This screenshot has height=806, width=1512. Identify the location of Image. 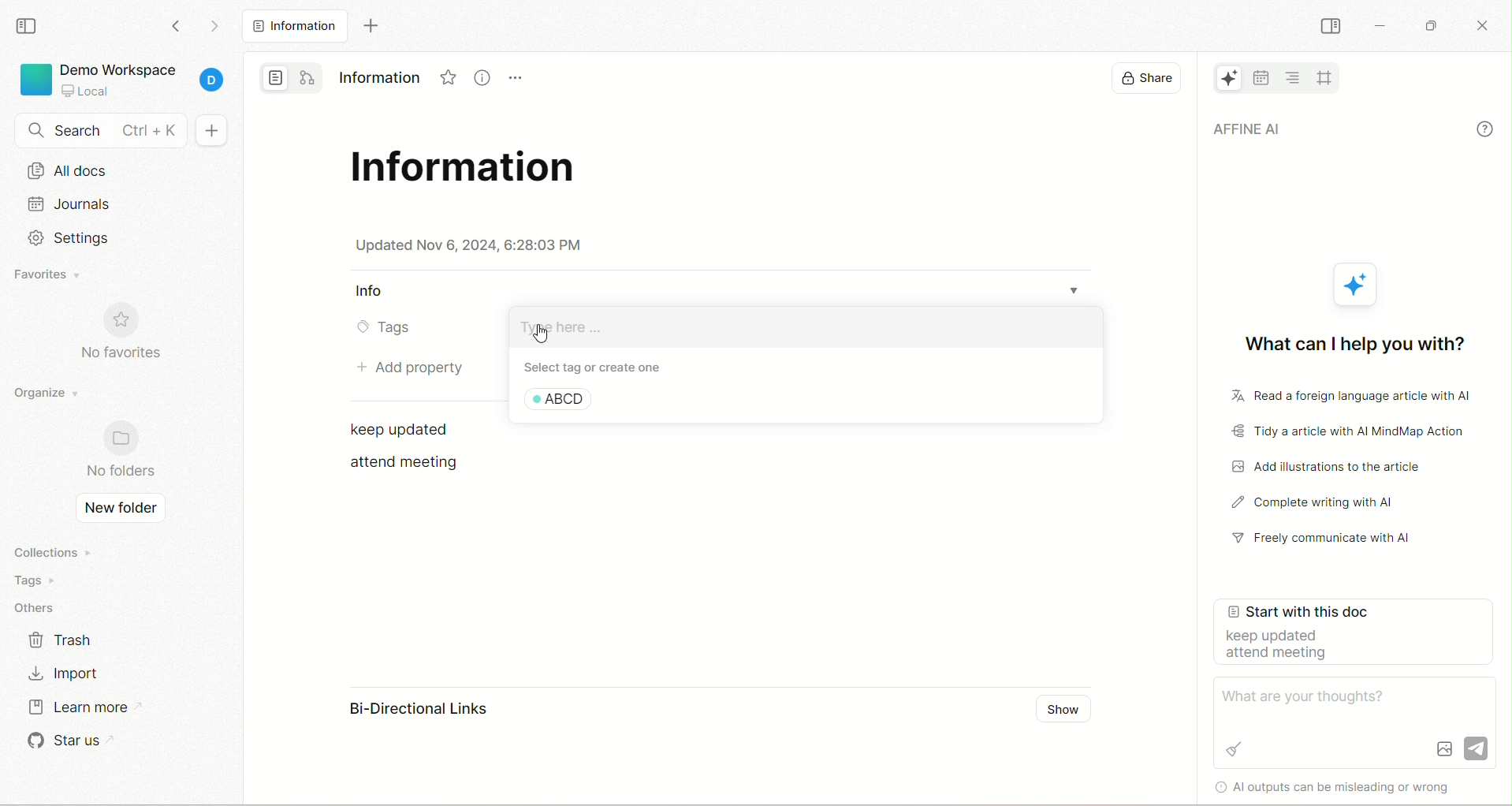
(1443, 748).